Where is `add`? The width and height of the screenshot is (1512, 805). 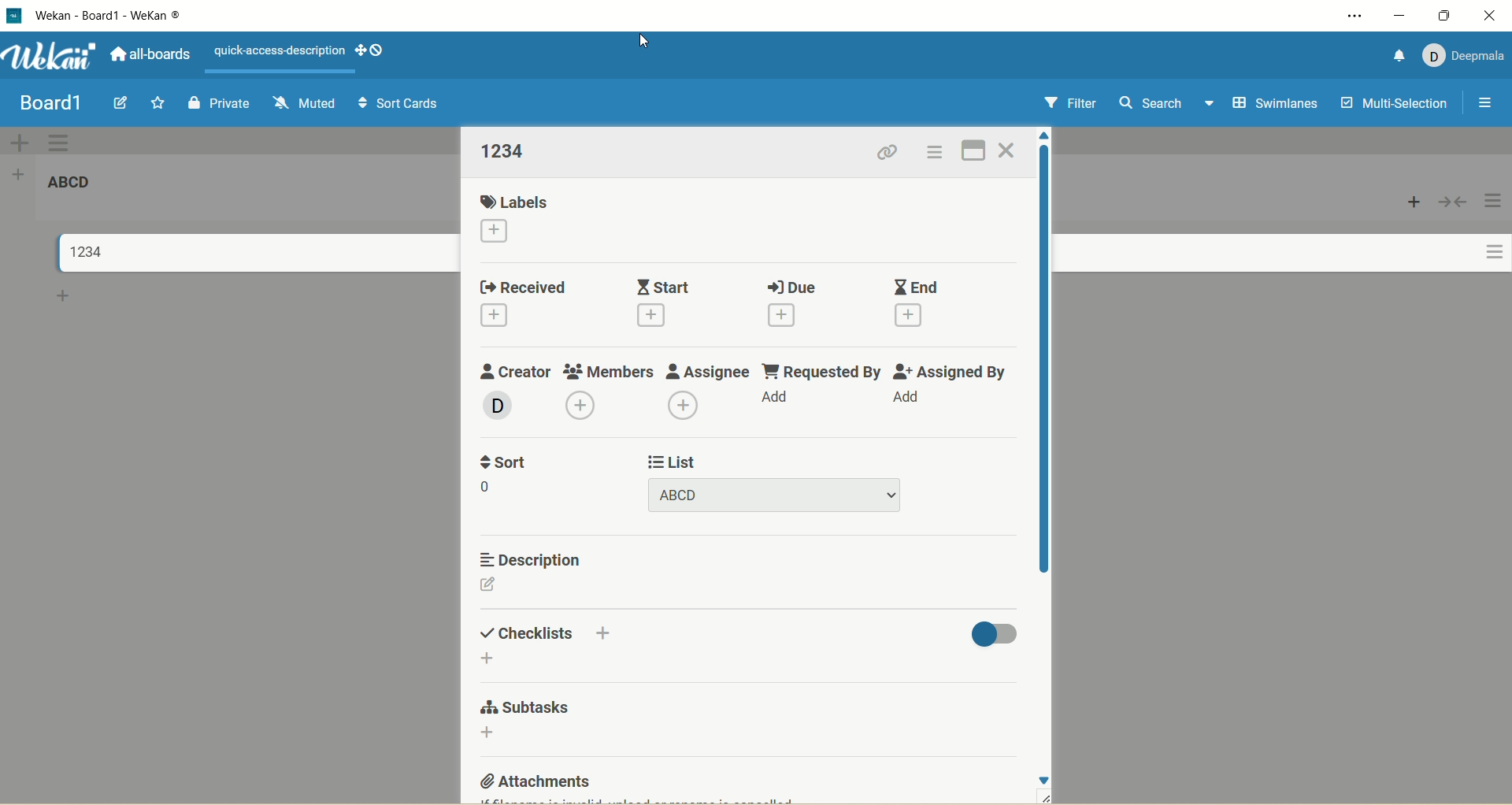
add is located at coordinates (573, 404).